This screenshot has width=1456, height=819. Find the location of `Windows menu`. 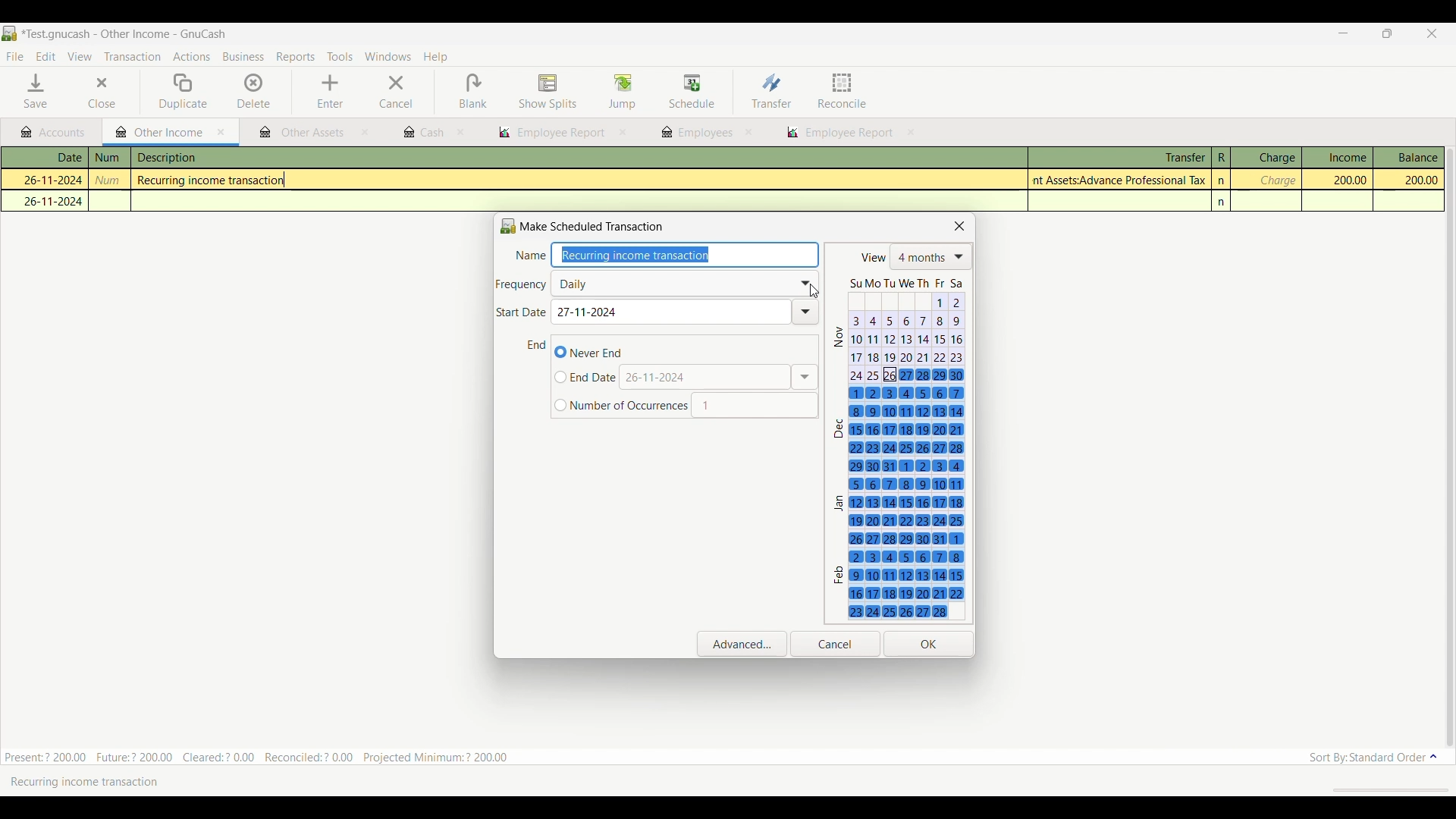

Windows menu is located at coordinates (388, 57).